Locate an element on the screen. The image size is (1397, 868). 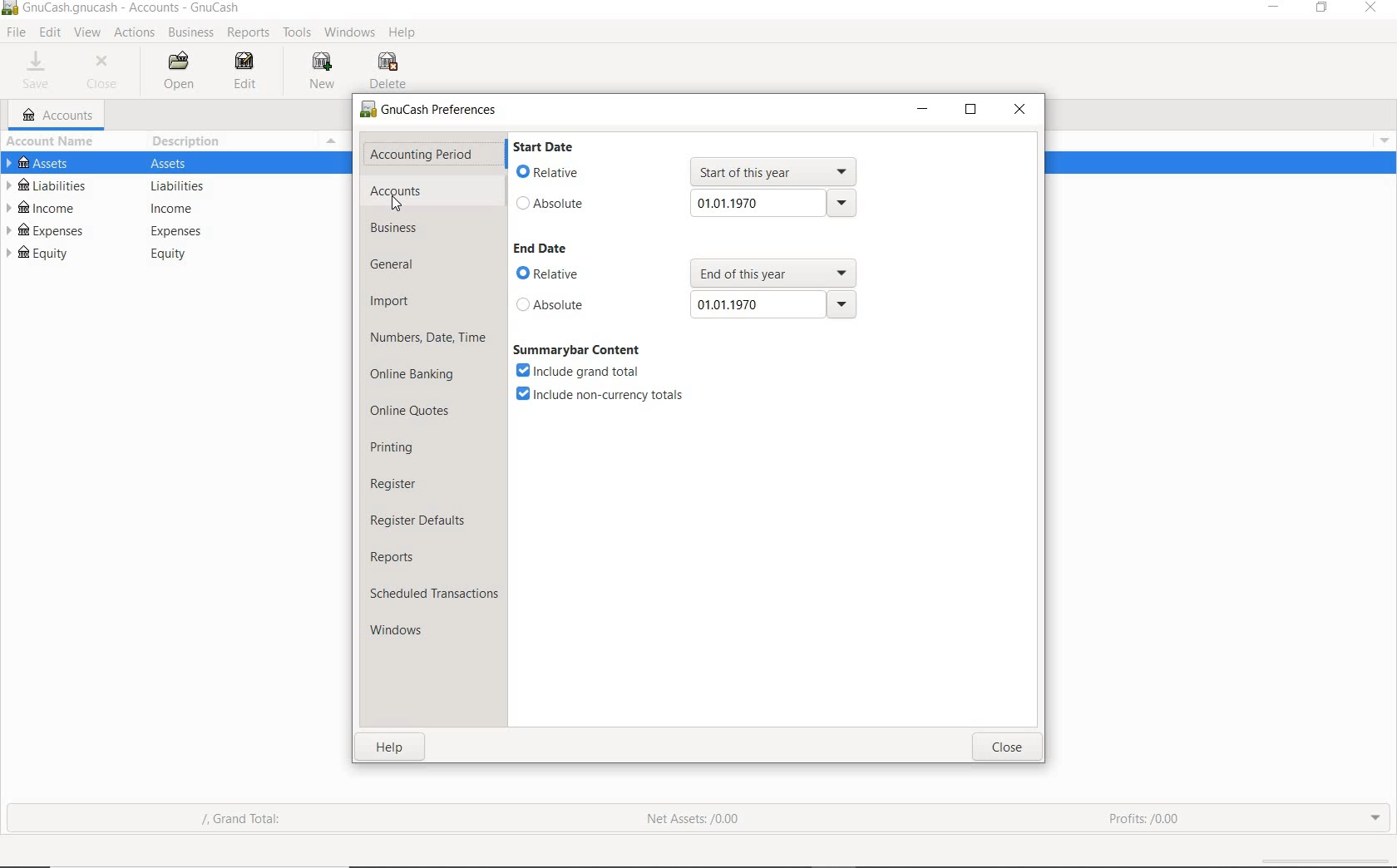
reports is located at coordinates (397, 556).